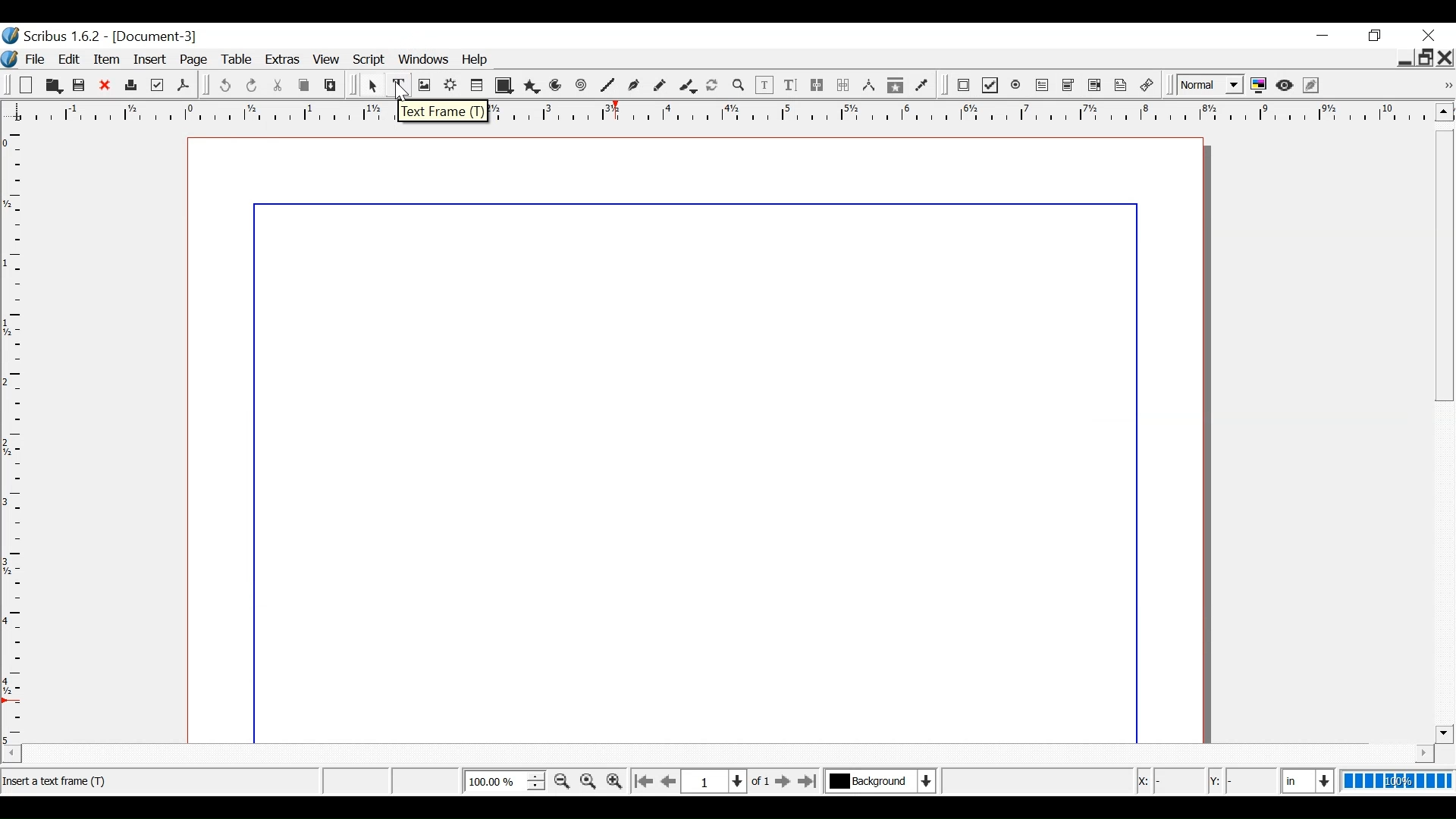 This screenshot has width=1456, height=819. I want to click on Zoom in, so click(616, 781).